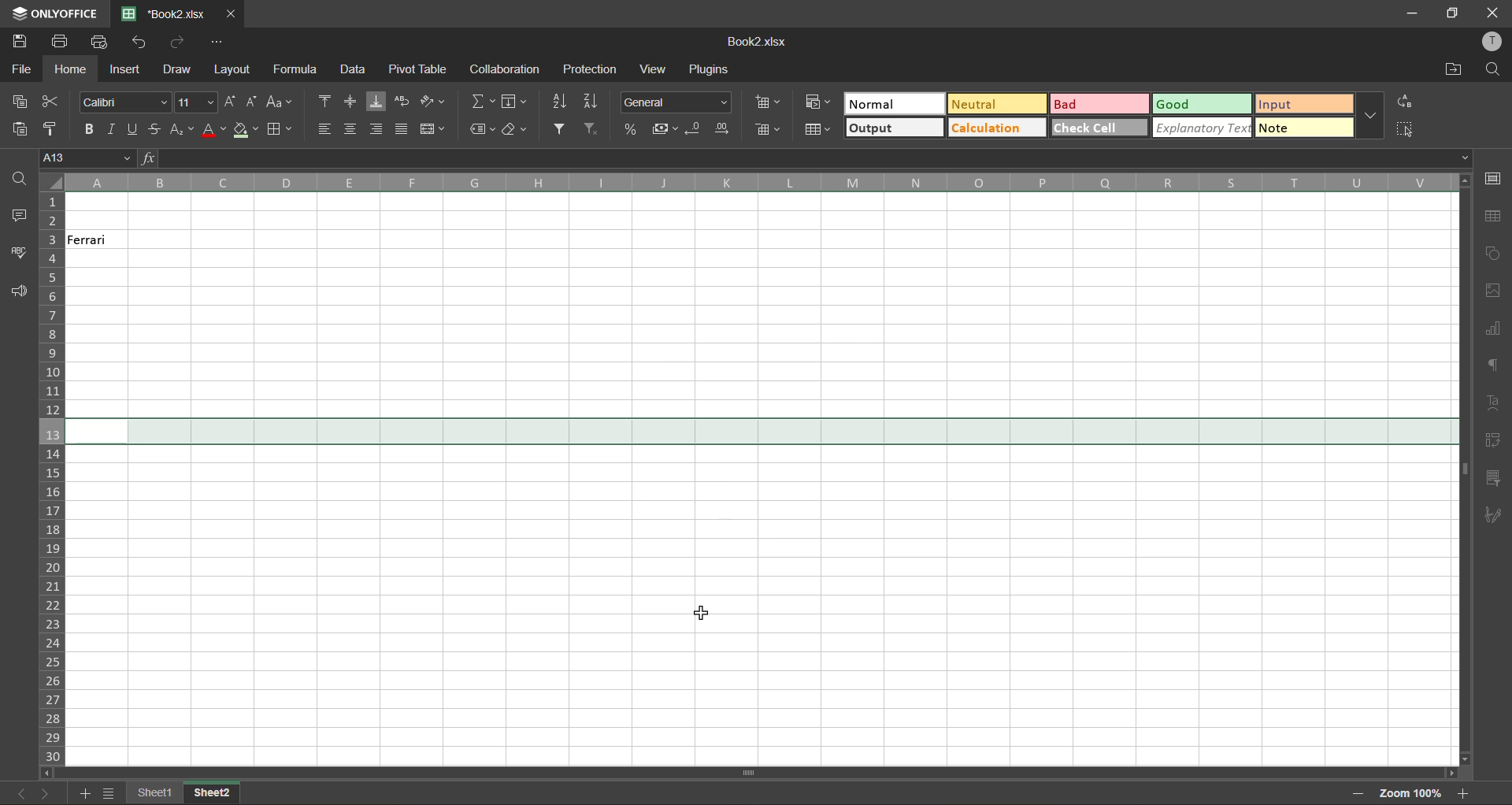  Describe the element at coordinates (45, 793) in the screenshot. I see `next` at that location.